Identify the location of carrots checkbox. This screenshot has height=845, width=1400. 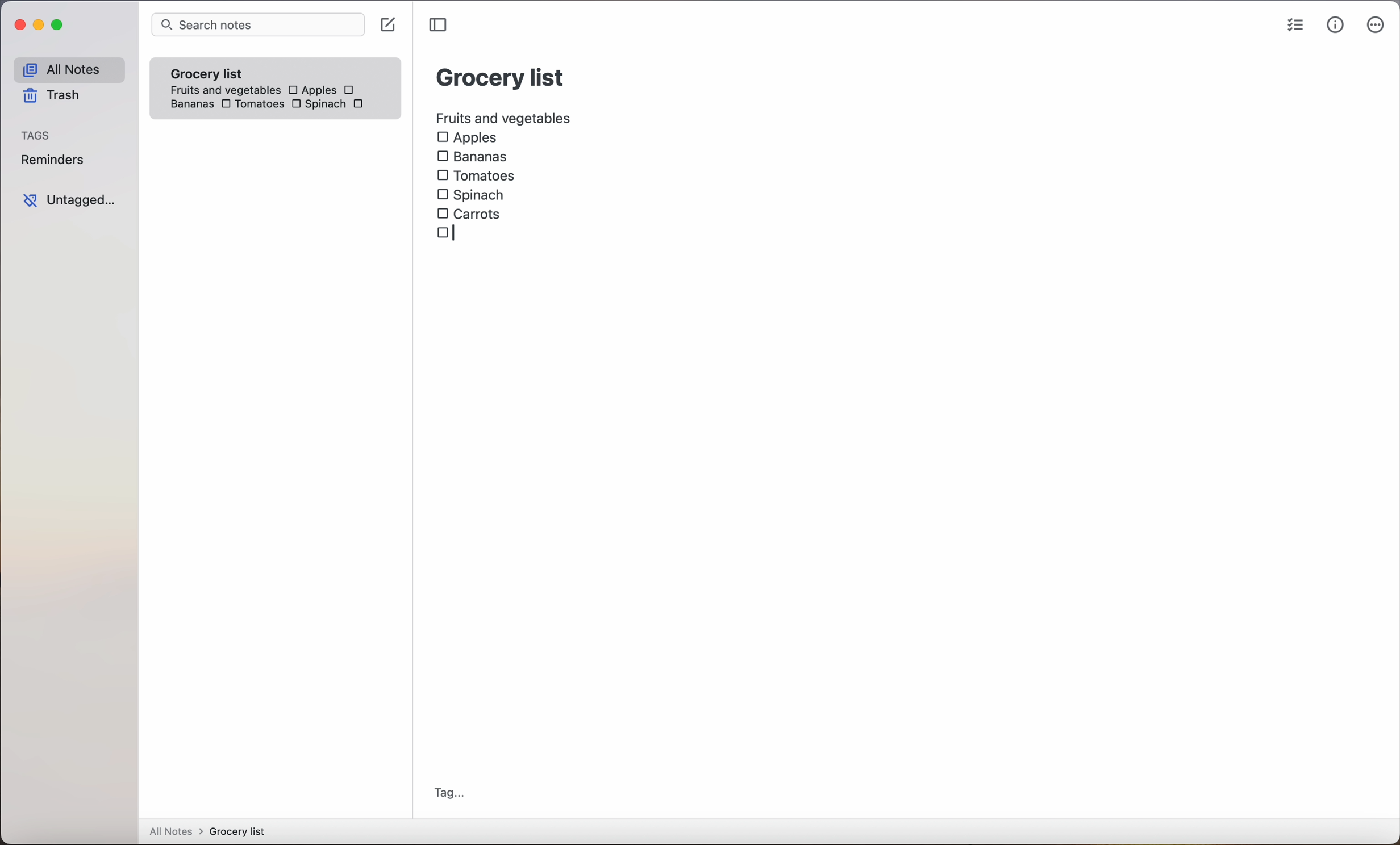
(472, 212).